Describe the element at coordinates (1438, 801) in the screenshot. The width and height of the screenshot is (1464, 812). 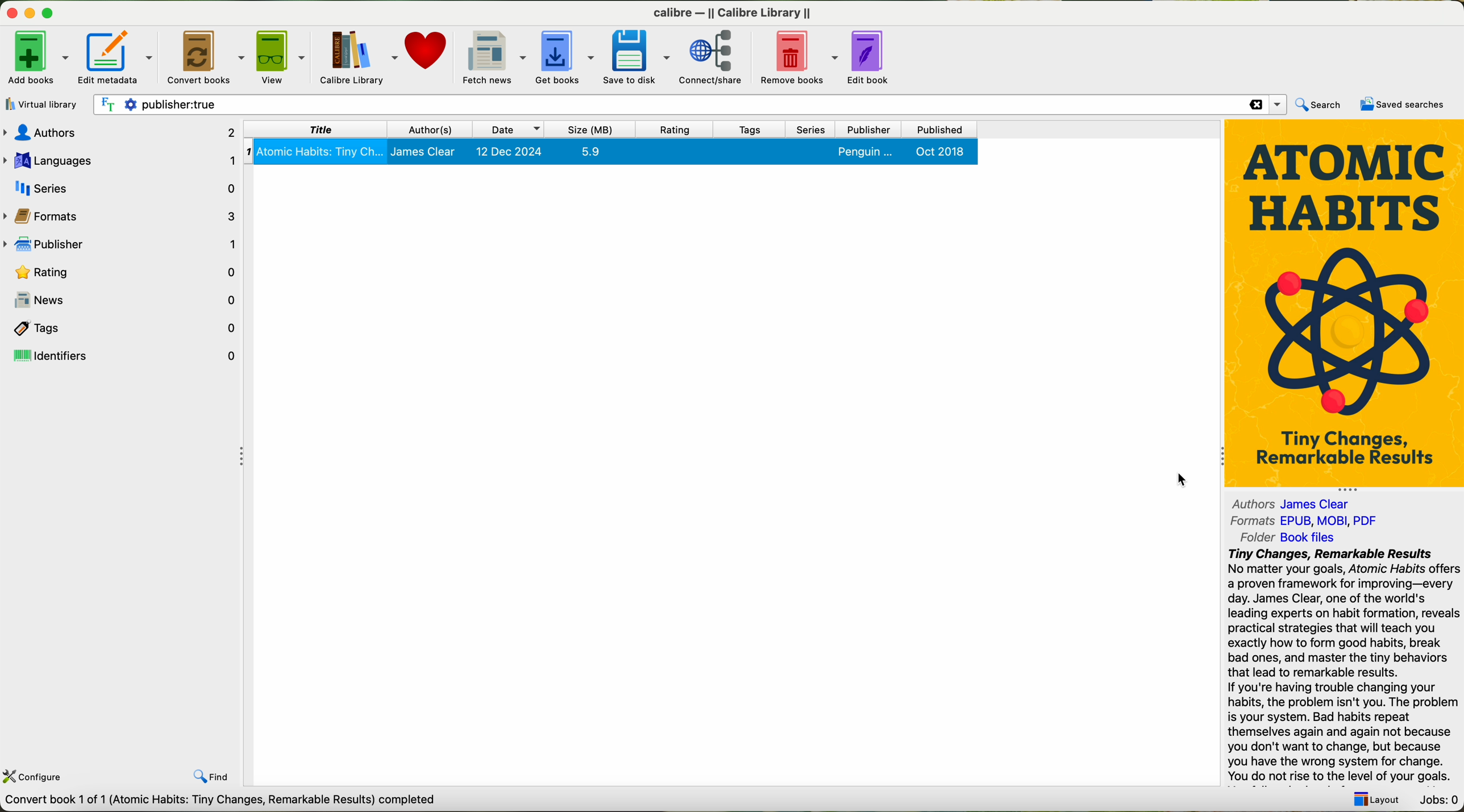
I see `Jobs: 0` at that location.